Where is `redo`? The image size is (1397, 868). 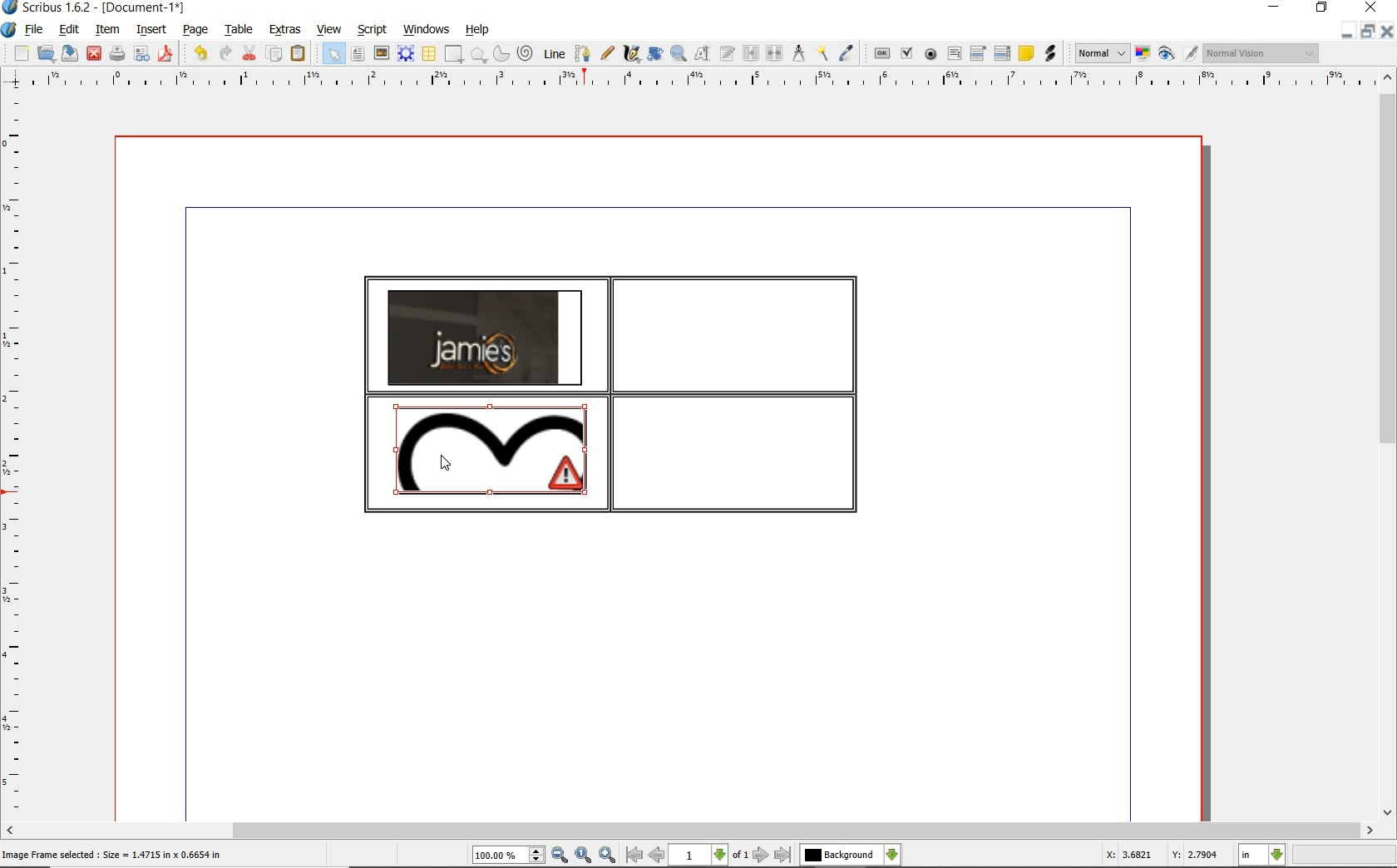
redo is located at coordinates (225, 52).